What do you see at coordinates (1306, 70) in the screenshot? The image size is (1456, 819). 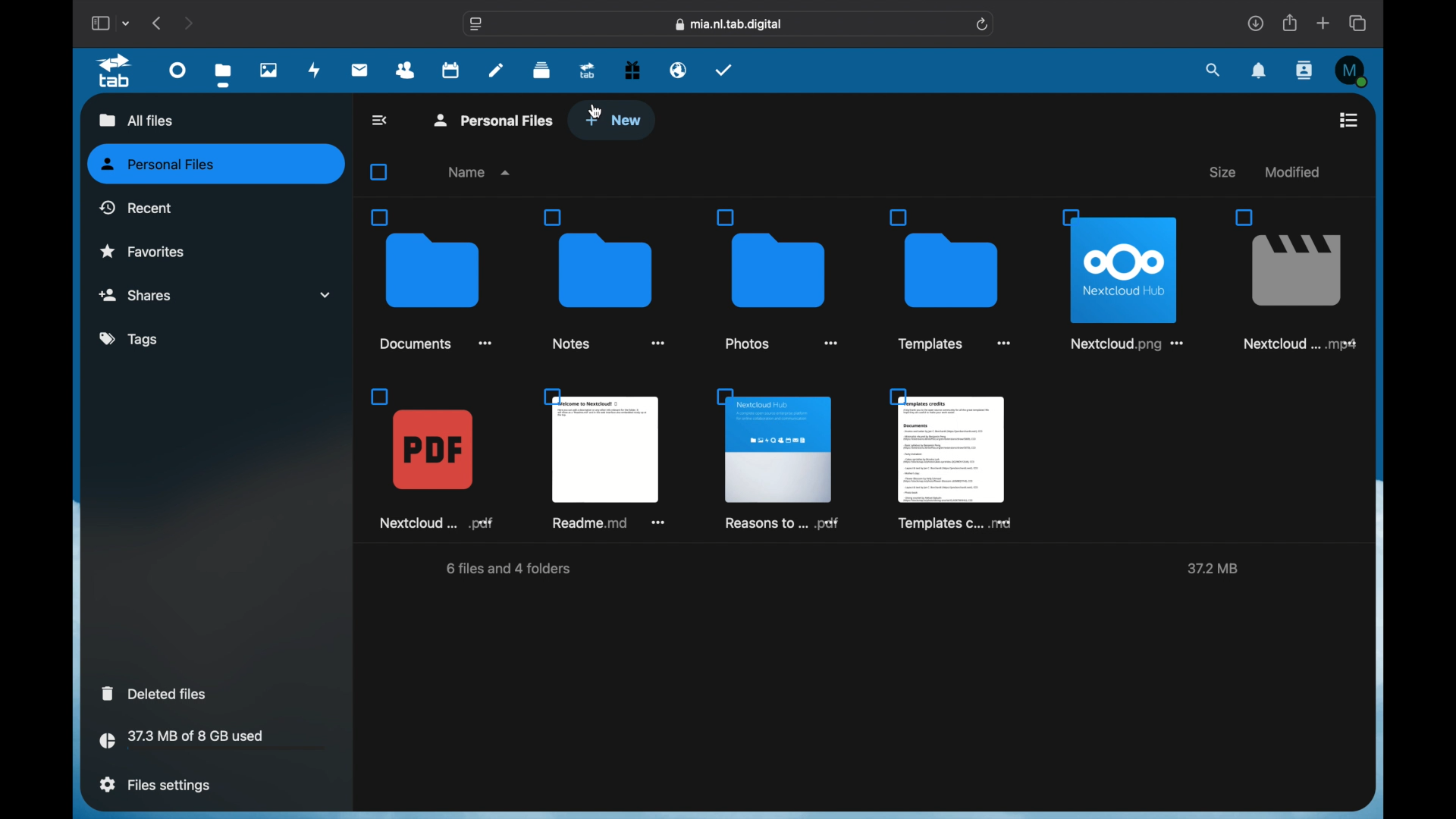 I see `contacts` at bounding box center [1306, 70].